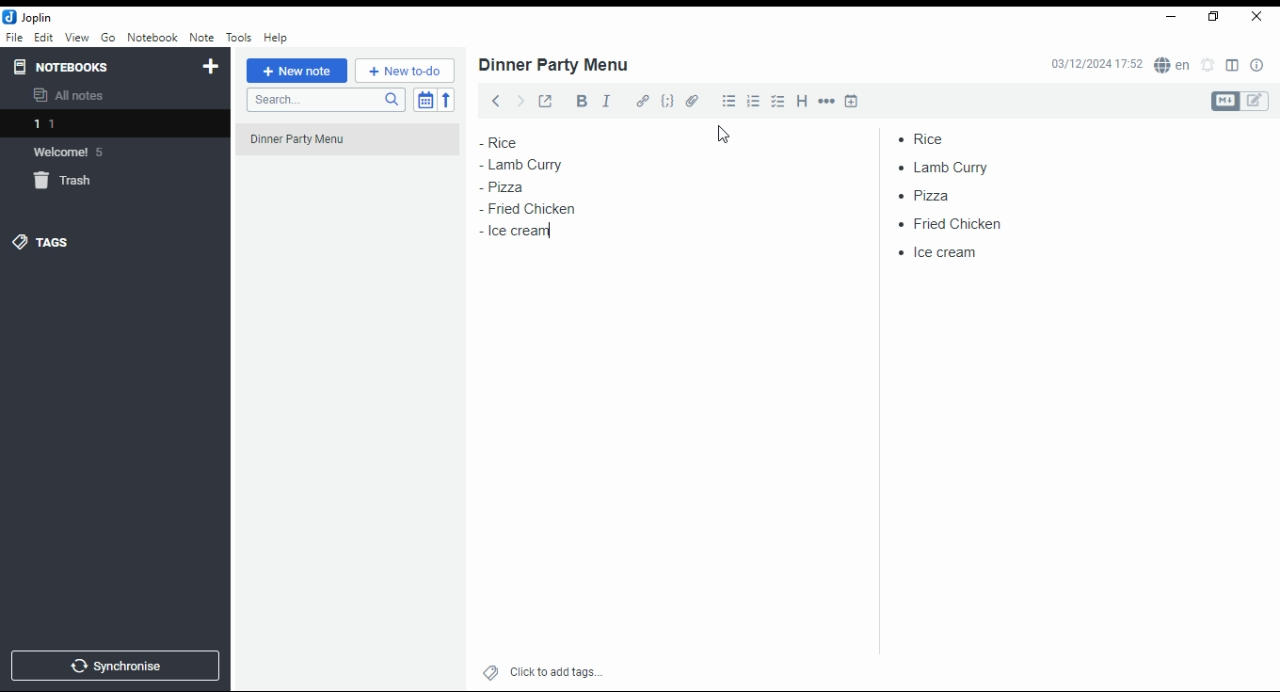 Image resolution: width=1280 pixels, height=692 pixels. Describe the element at coordinates (424, 99) in the screenshot. I see `toggle sort order` at that location.